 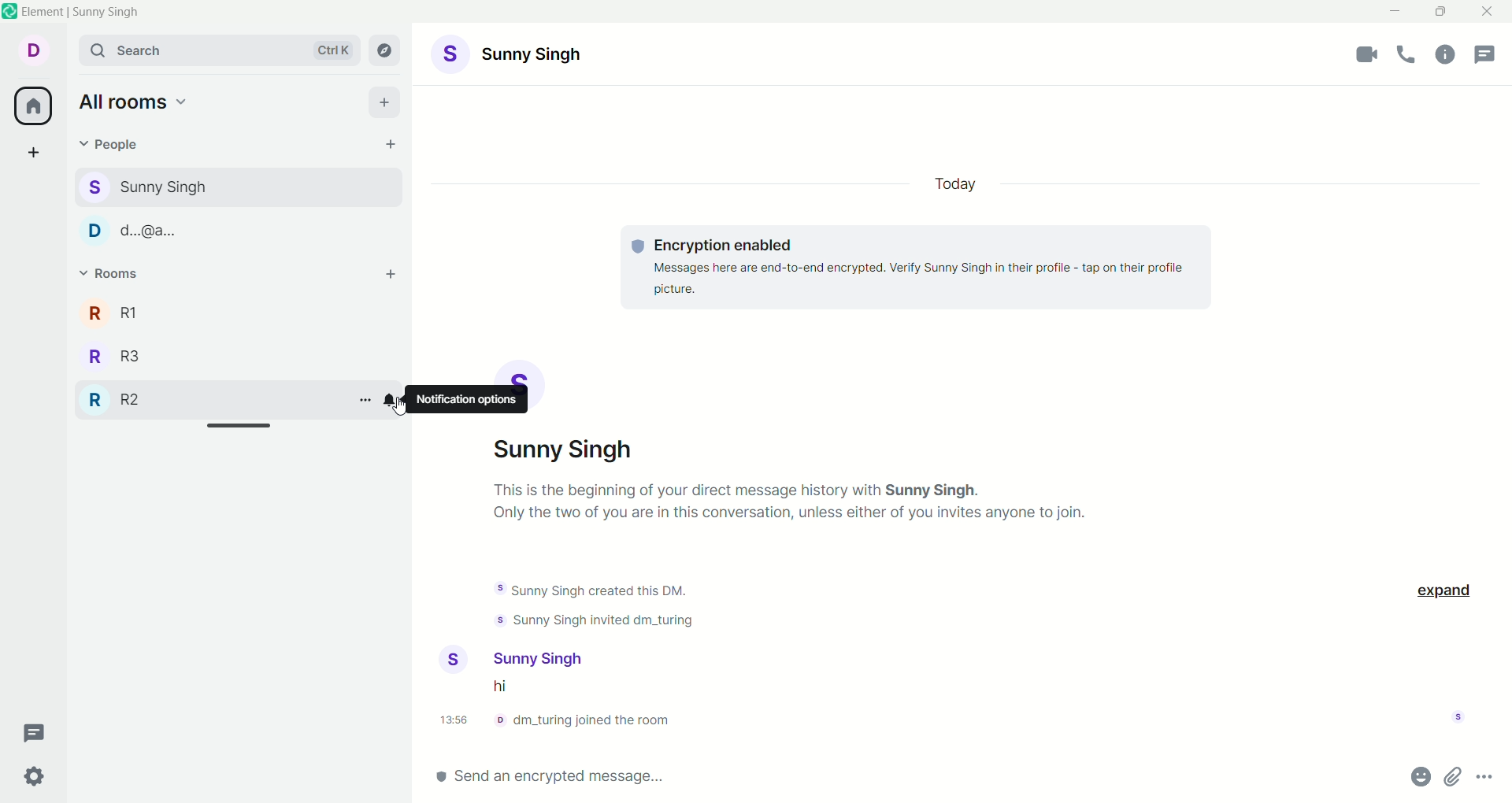 I want to click on settings, so click(x=34, y=773).